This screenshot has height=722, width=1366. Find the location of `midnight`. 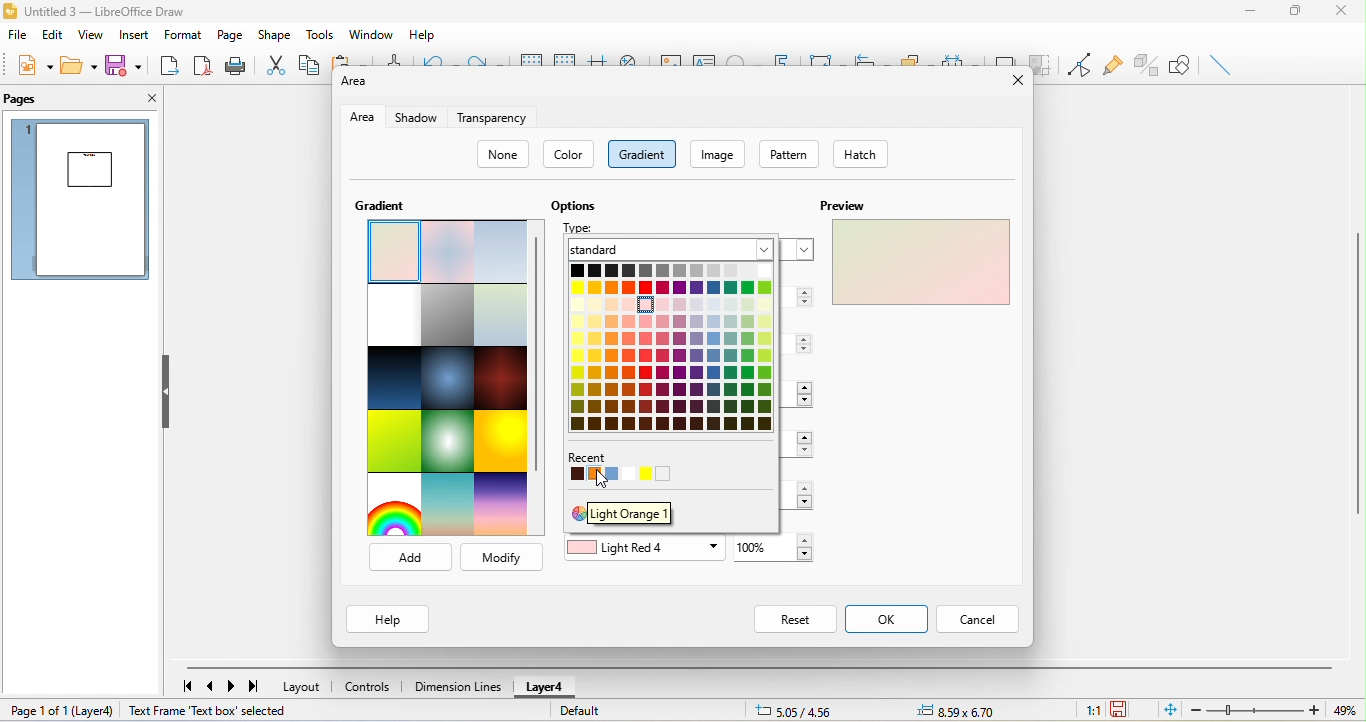

midnight is located at coordinates (393, 381).